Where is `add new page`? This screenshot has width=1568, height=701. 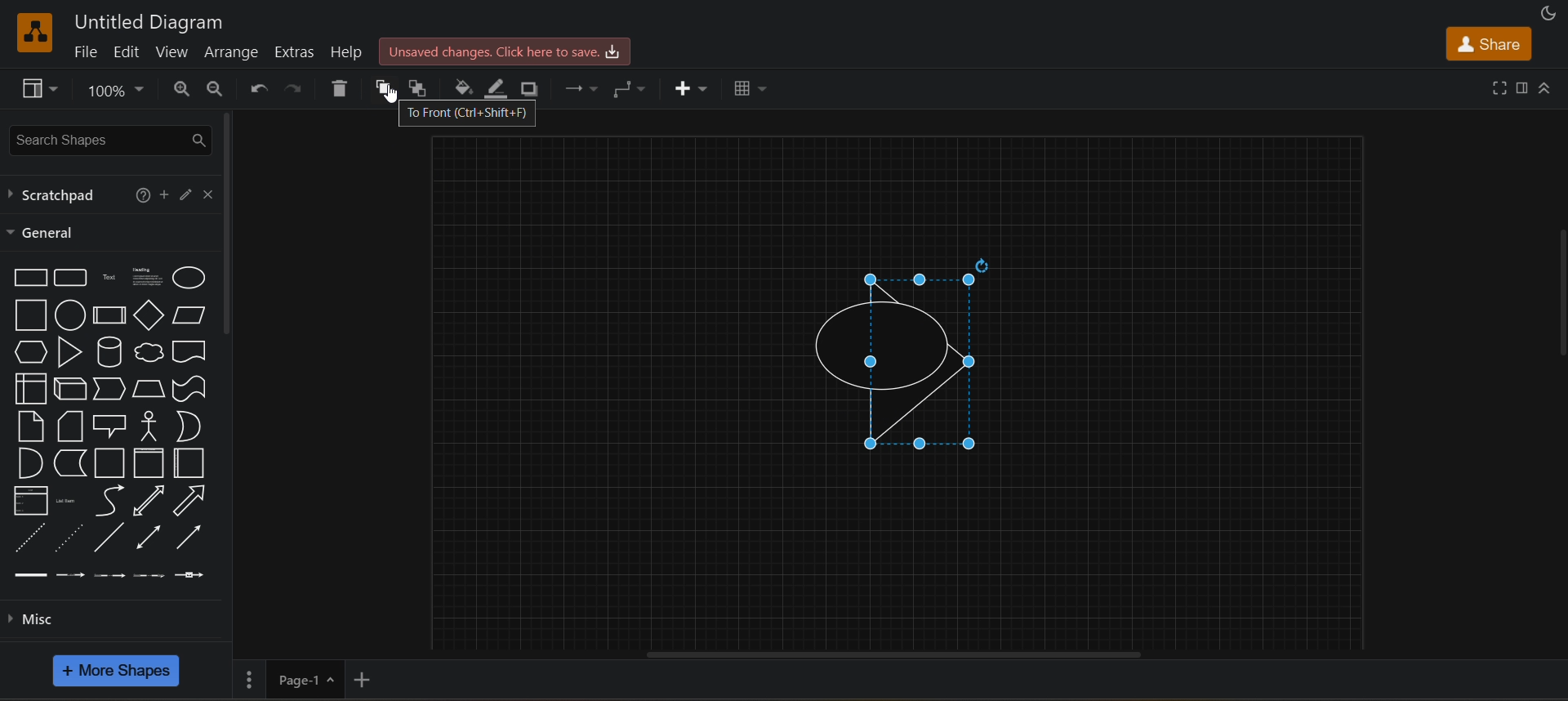 add new page is located at coordinates (378, 678).